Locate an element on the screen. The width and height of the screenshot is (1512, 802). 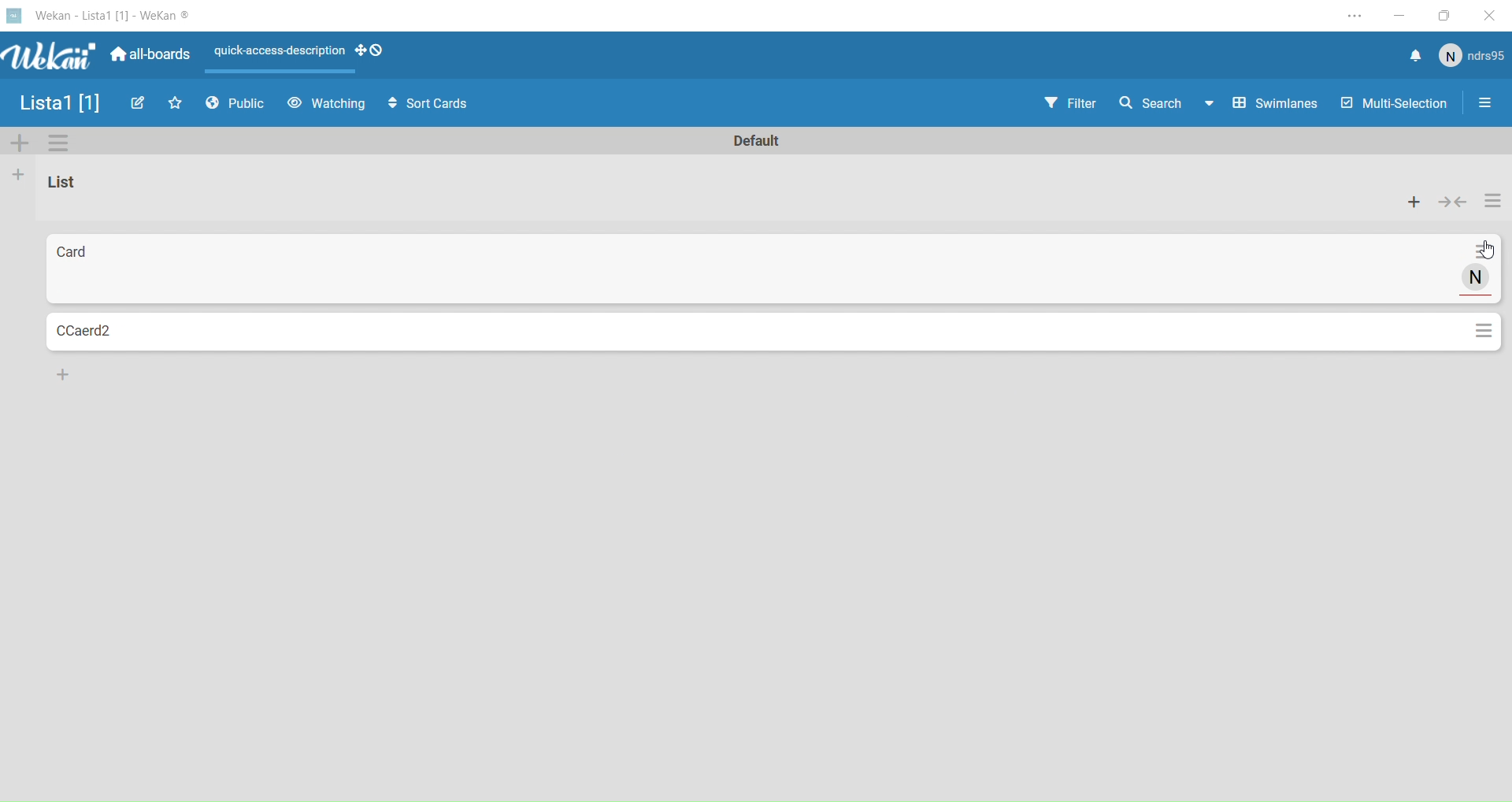
Swimlines is located at coordinates (1265, 104).